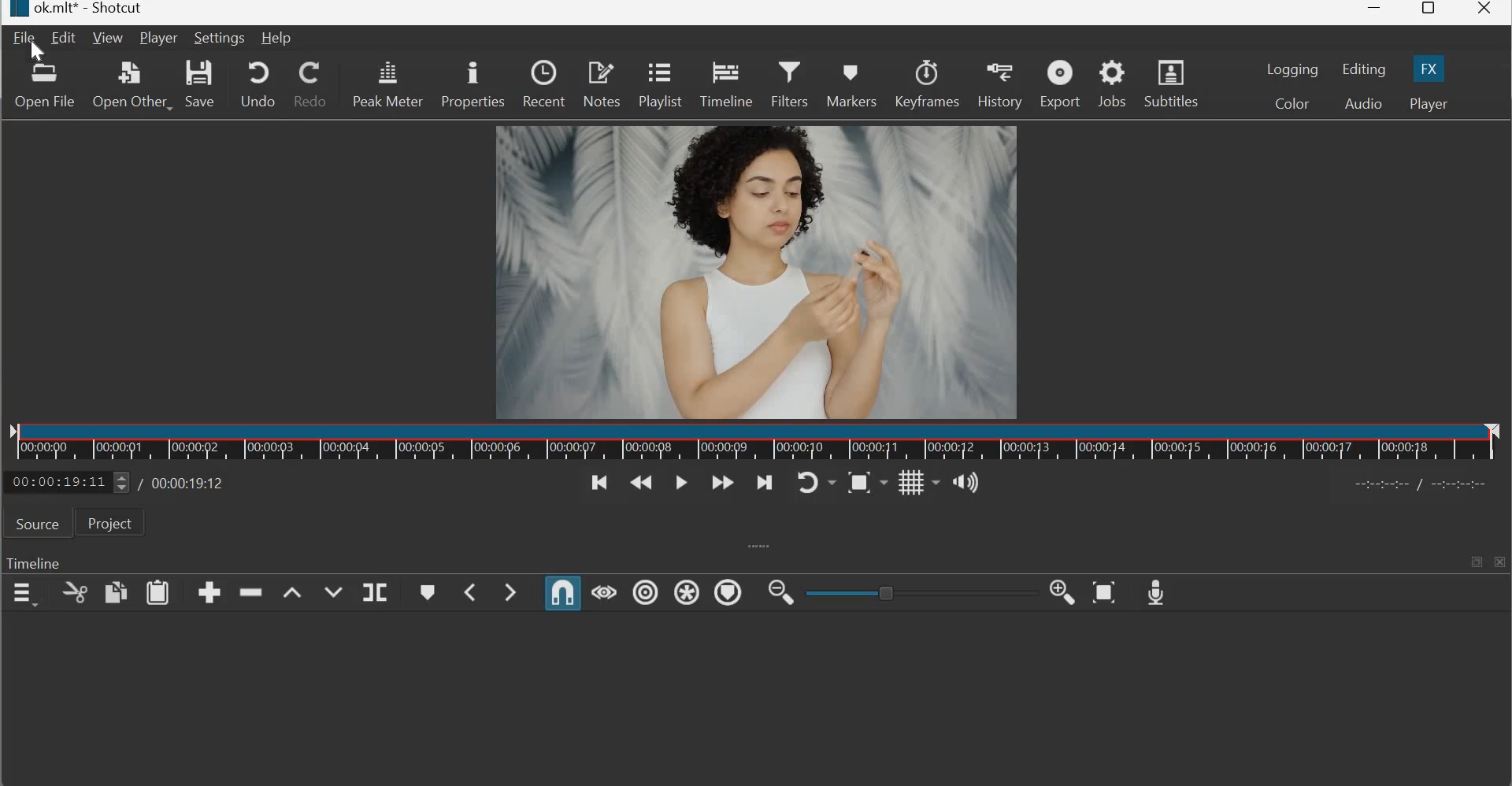 The width and height of the screenshot is (1512, 786). I want to click on Ripple Markers, so click(728, 595).